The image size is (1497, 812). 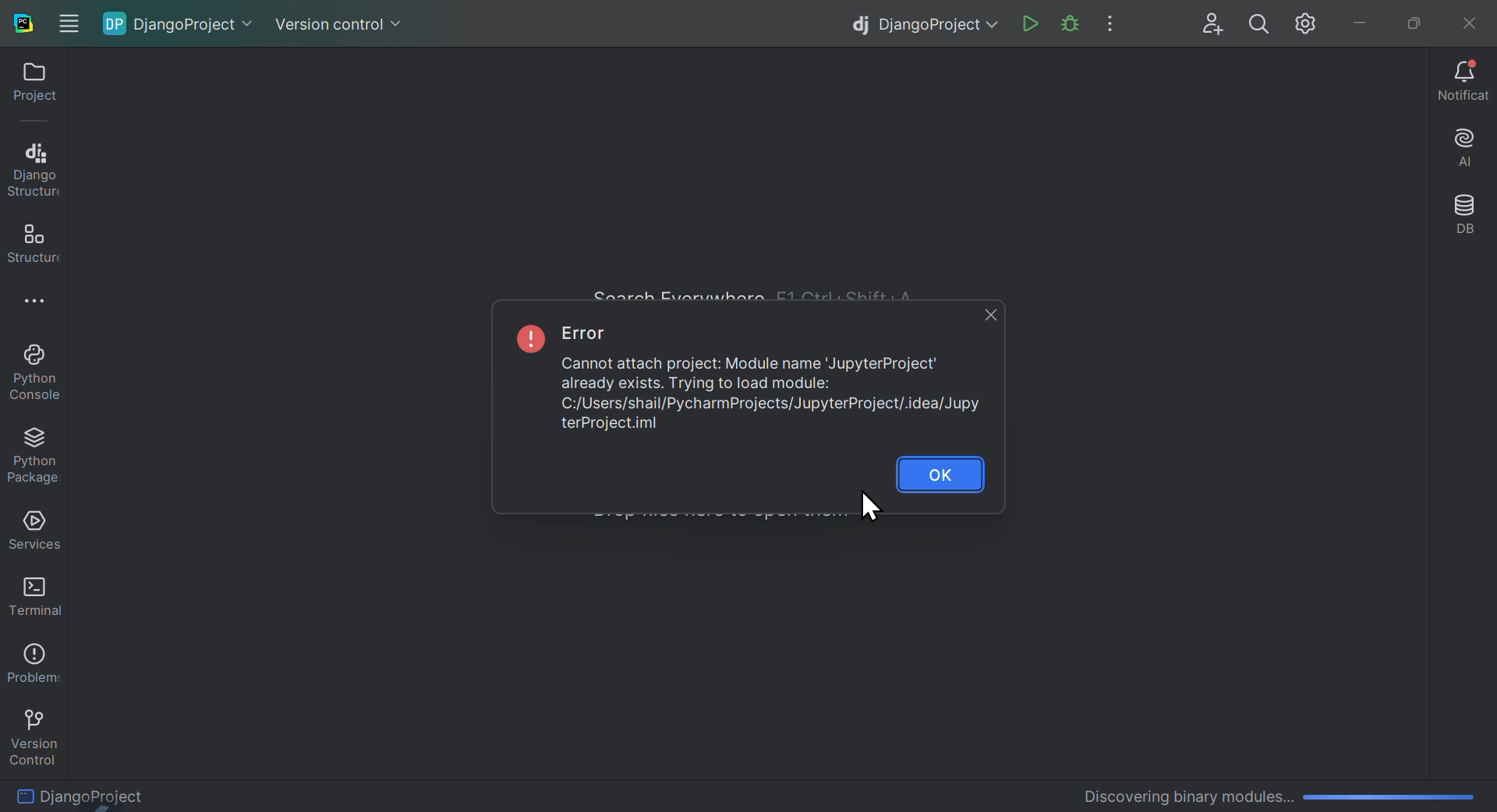 What do you see at coordinates (46, 305) in the screenshot?
I see `More options` at bounding box center [46, 305].